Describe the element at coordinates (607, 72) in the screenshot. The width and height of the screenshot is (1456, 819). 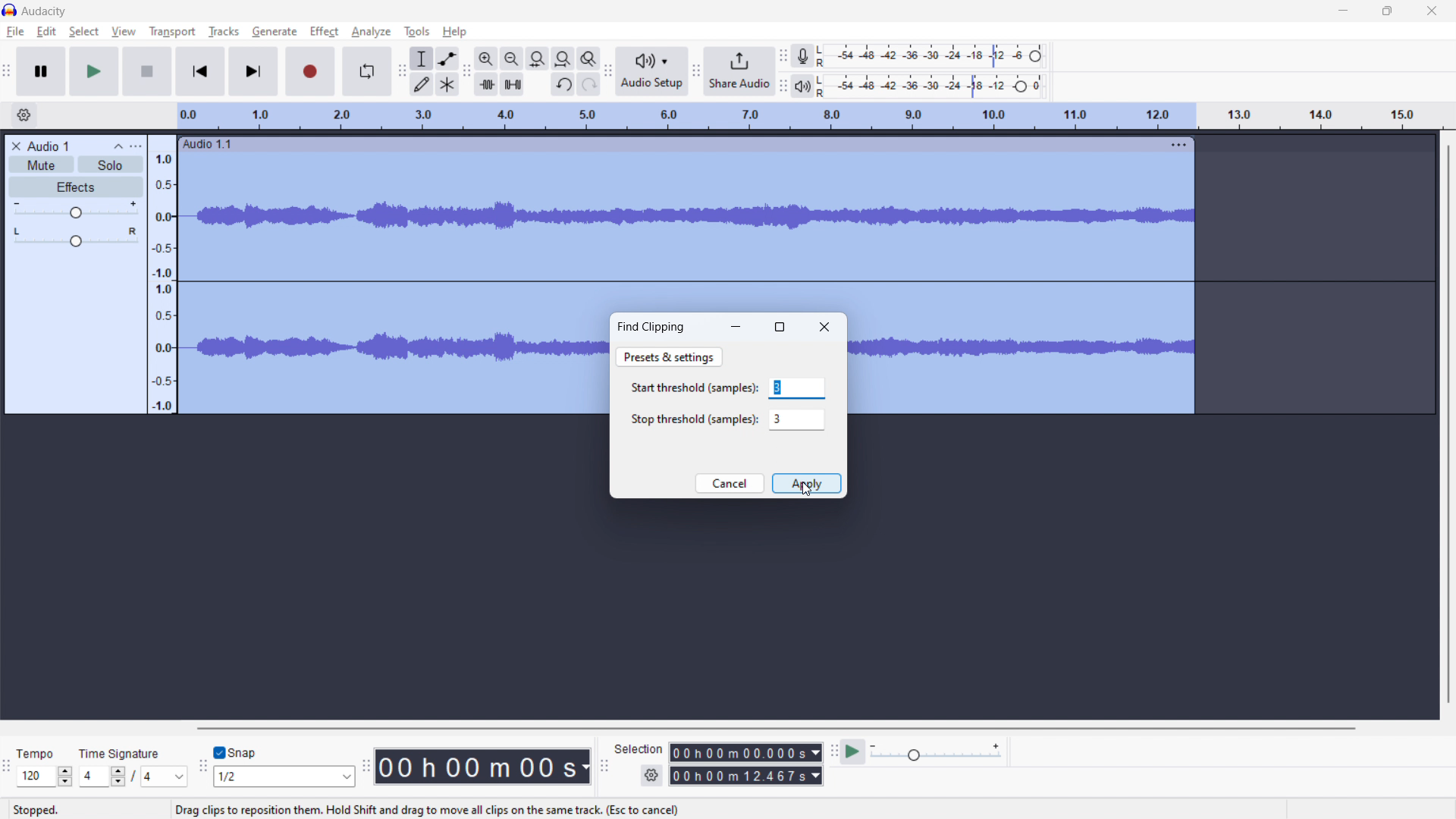
I see `audio setup` at that location.